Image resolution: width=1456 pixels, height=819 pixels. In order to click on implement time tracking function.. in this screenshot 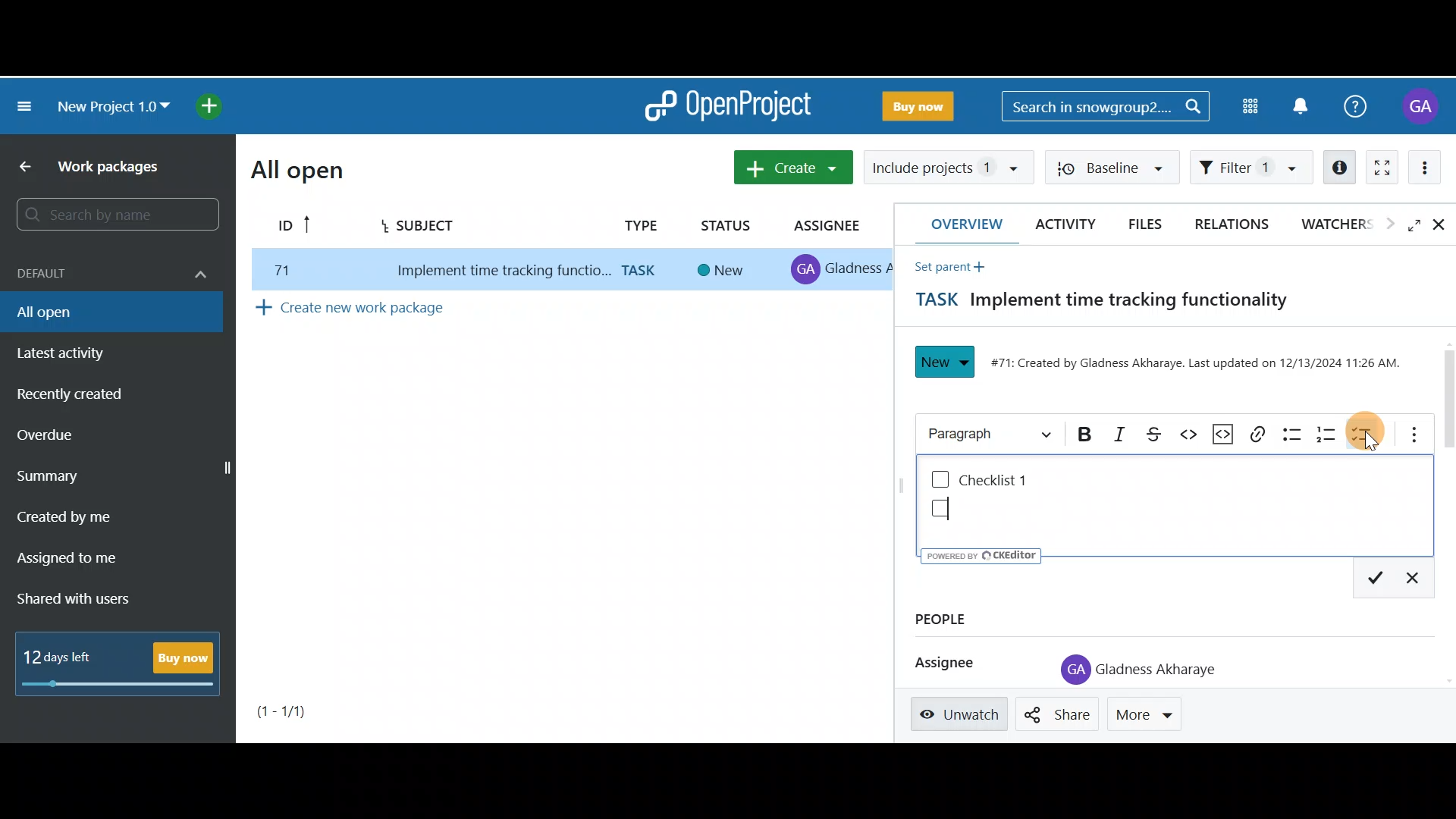, I will do `click(494, 271)`.